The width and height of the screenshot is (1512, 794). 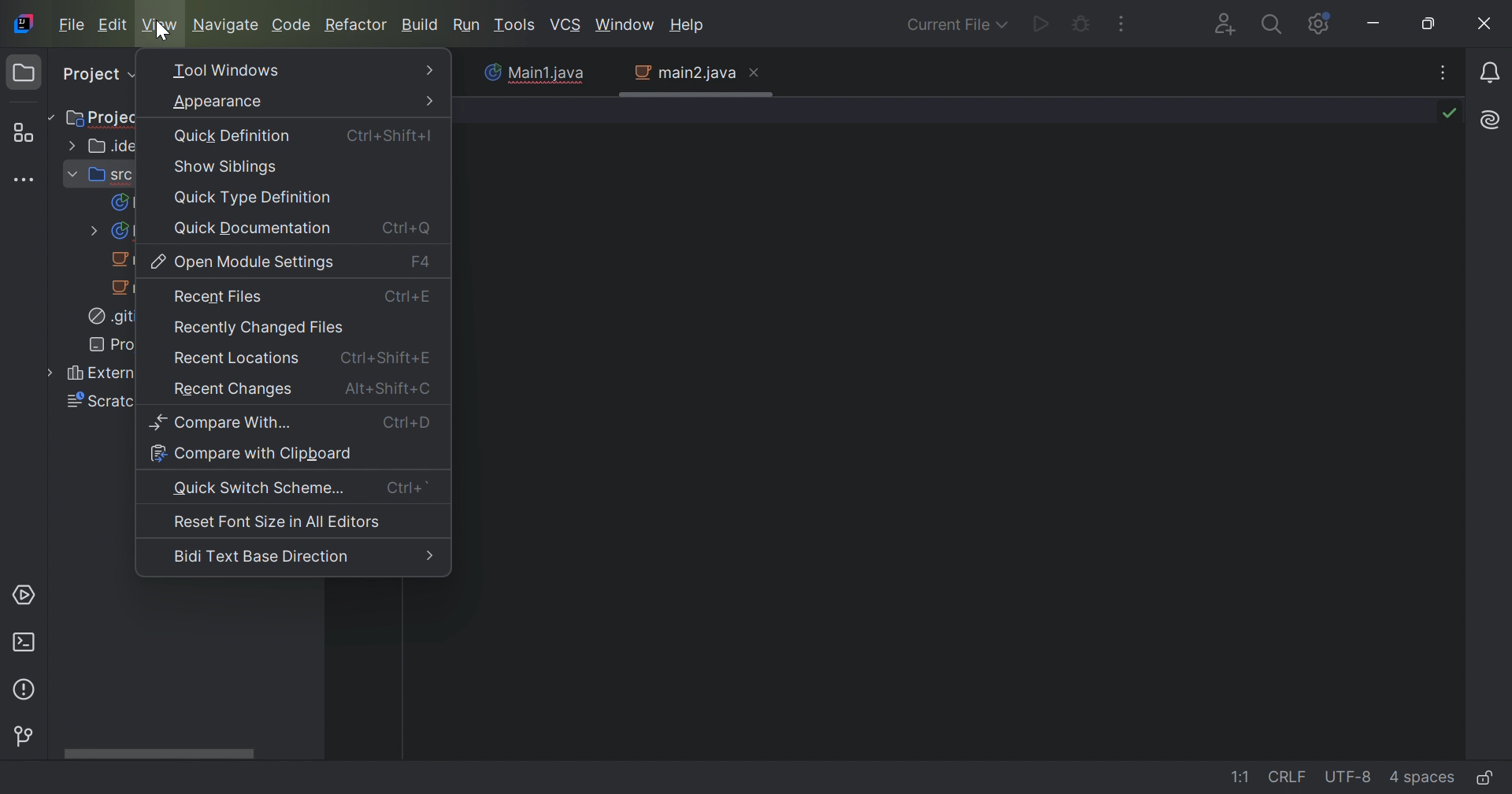 What do you see at coordinates (386, 356) in the screenshot?
I see `Ctrl+Shift+E` at bounding box center [386, 356].